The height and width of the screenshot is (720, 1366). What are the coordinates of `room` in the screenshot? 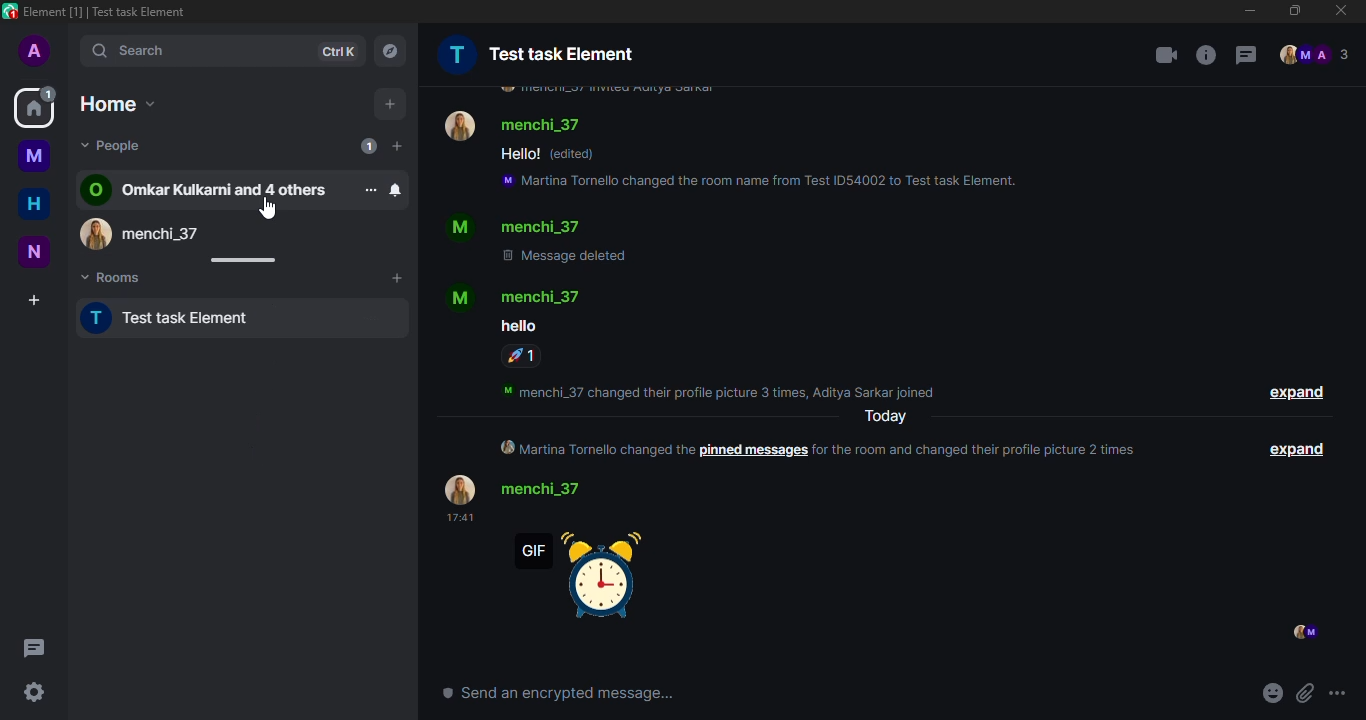 It's located at (32, 154).